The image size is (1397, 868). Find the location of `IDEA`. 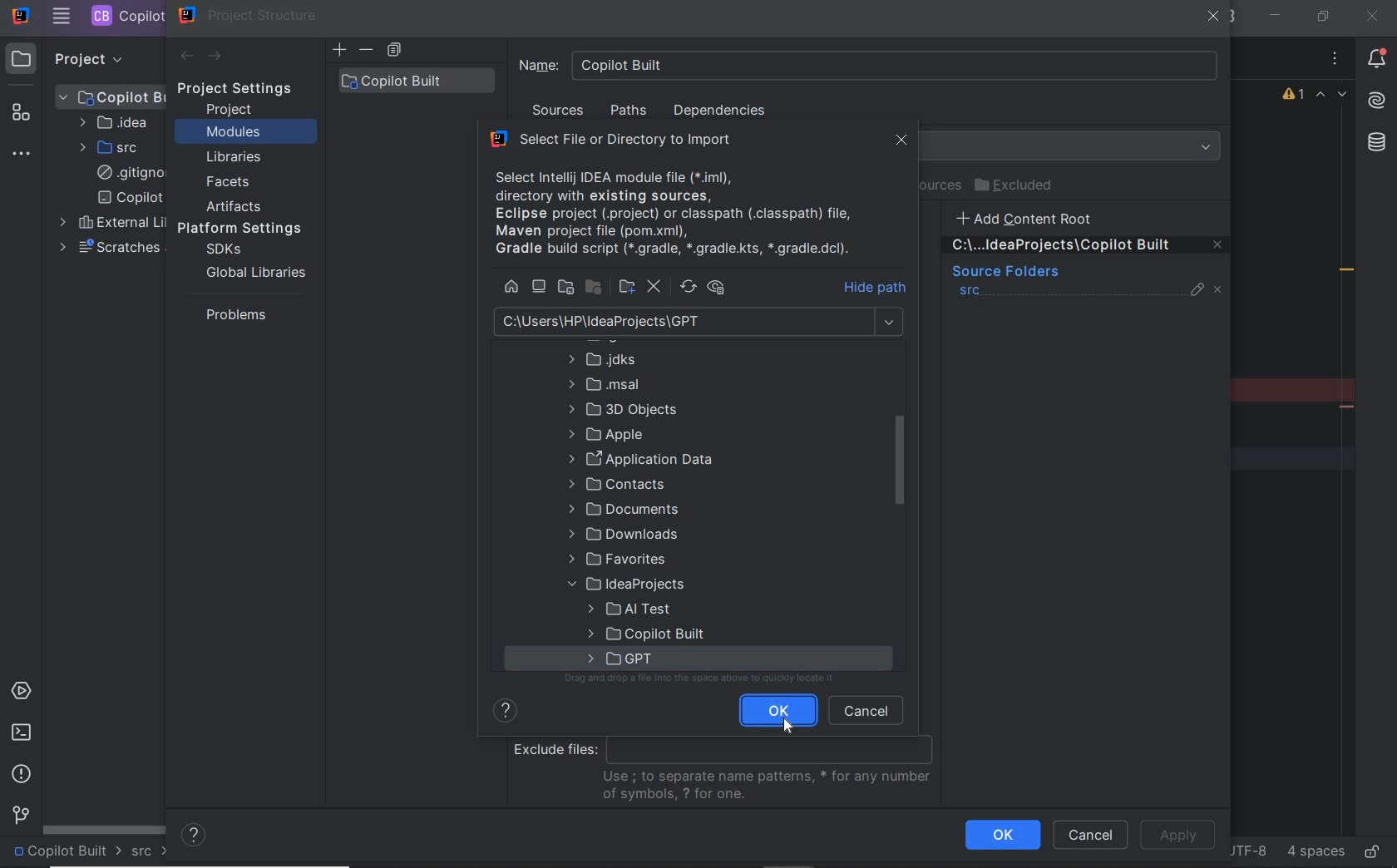

IDEA is located at coordinates (112, 122).